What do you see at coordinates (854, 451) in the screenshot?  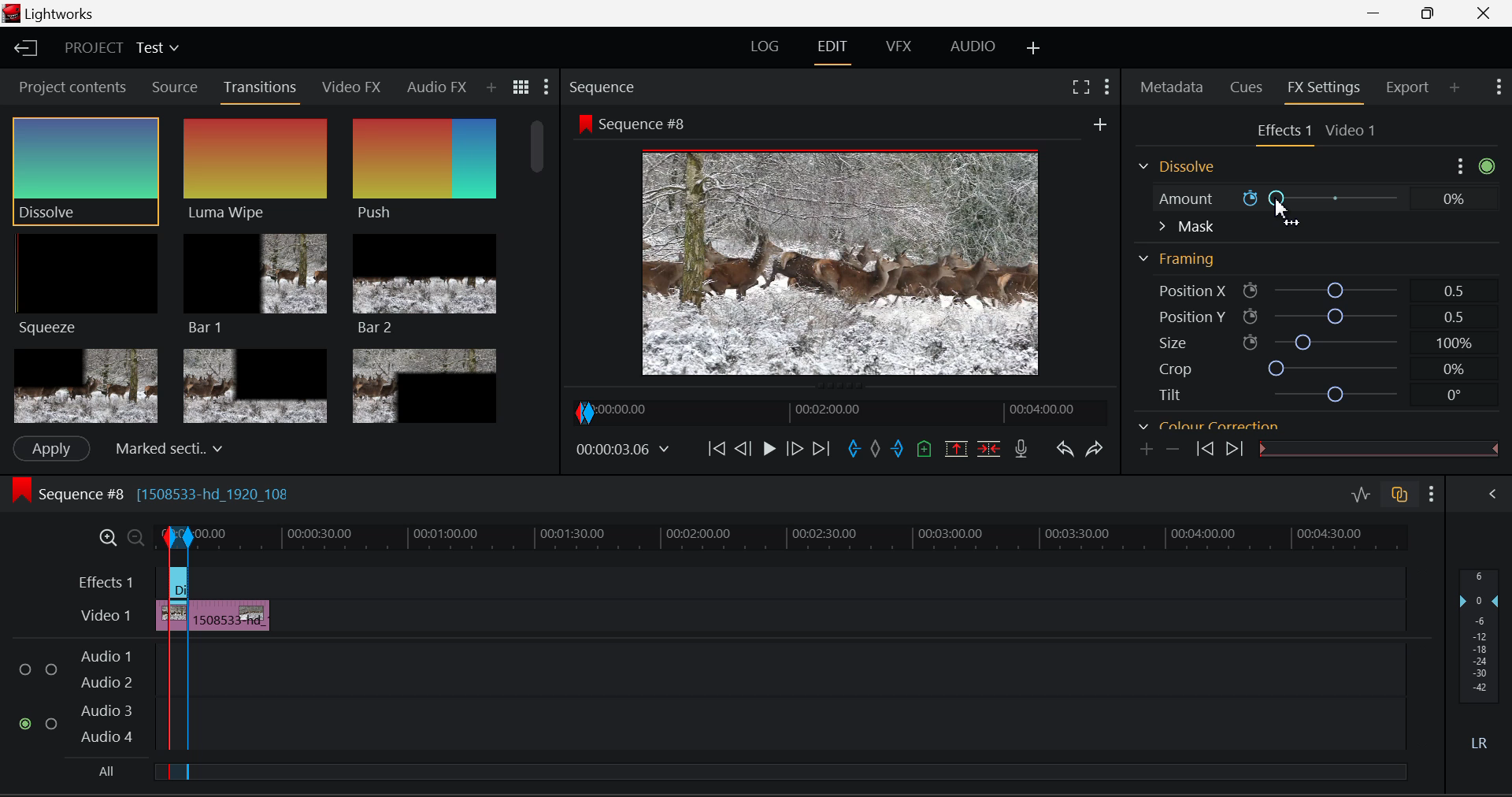 I see `Mark In Point` at bounding box center [854, 451].